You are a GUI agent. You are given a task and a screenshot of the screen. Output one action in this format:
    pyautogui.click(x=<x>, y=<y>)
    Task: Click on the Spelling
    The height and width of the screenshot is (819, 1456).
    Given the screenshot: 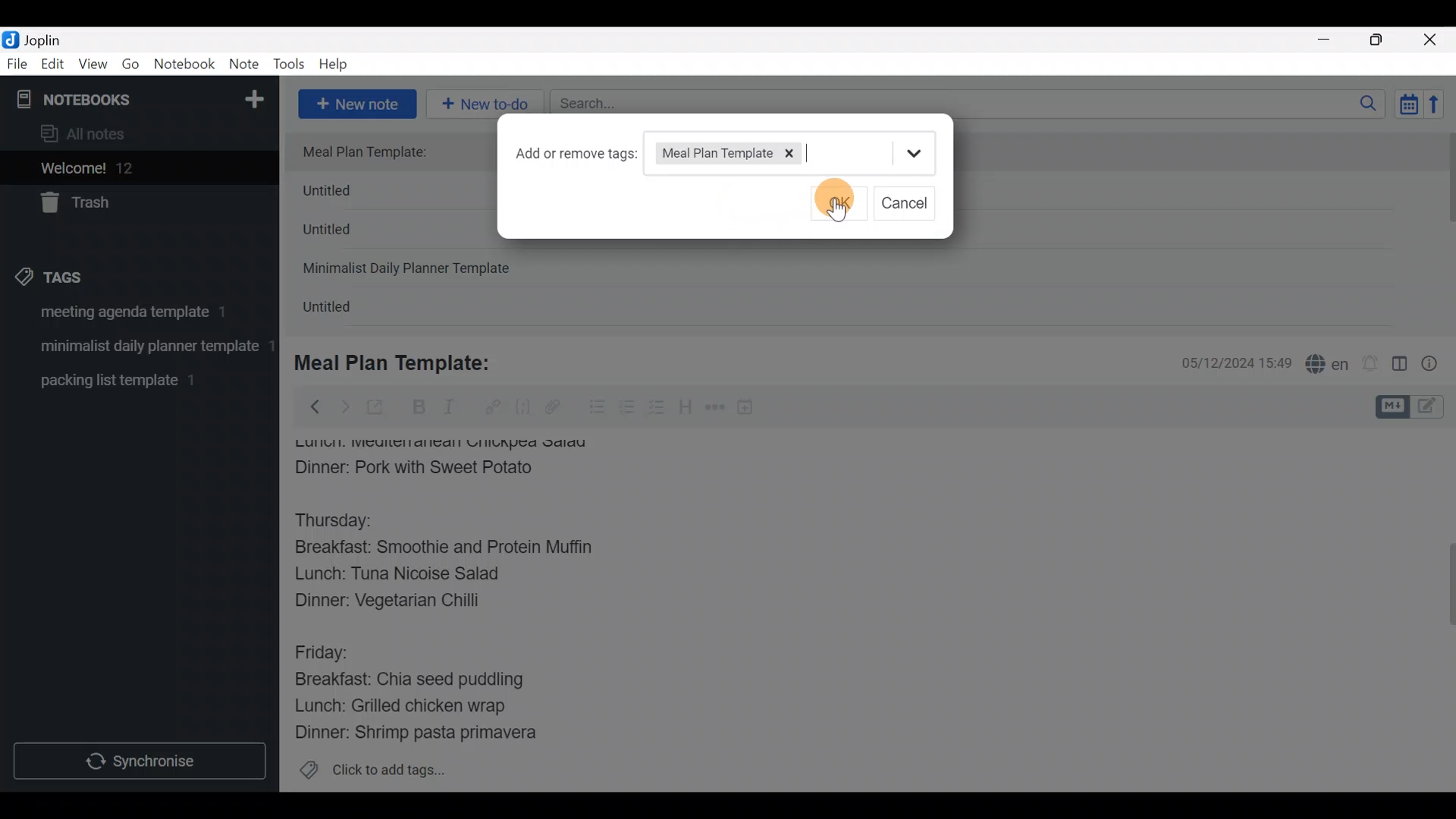 What is the action you would take?
    pyautogui.click(x=1328, y=366)
    